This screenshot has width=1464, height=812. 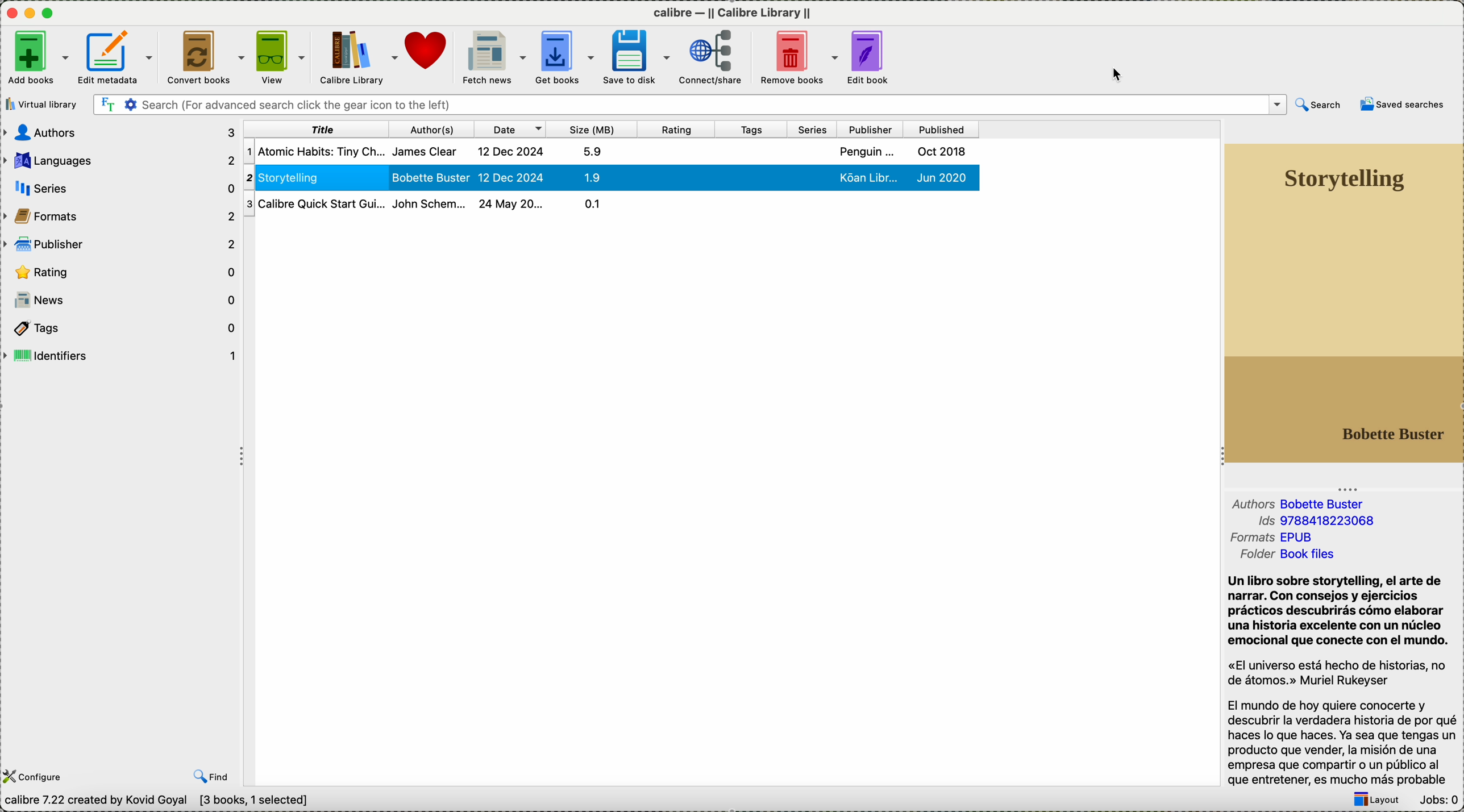 What do you see at coordinates (1437, 799) in the screenshot?
I see `jobs: 0` at bounding box center [1437, 799].